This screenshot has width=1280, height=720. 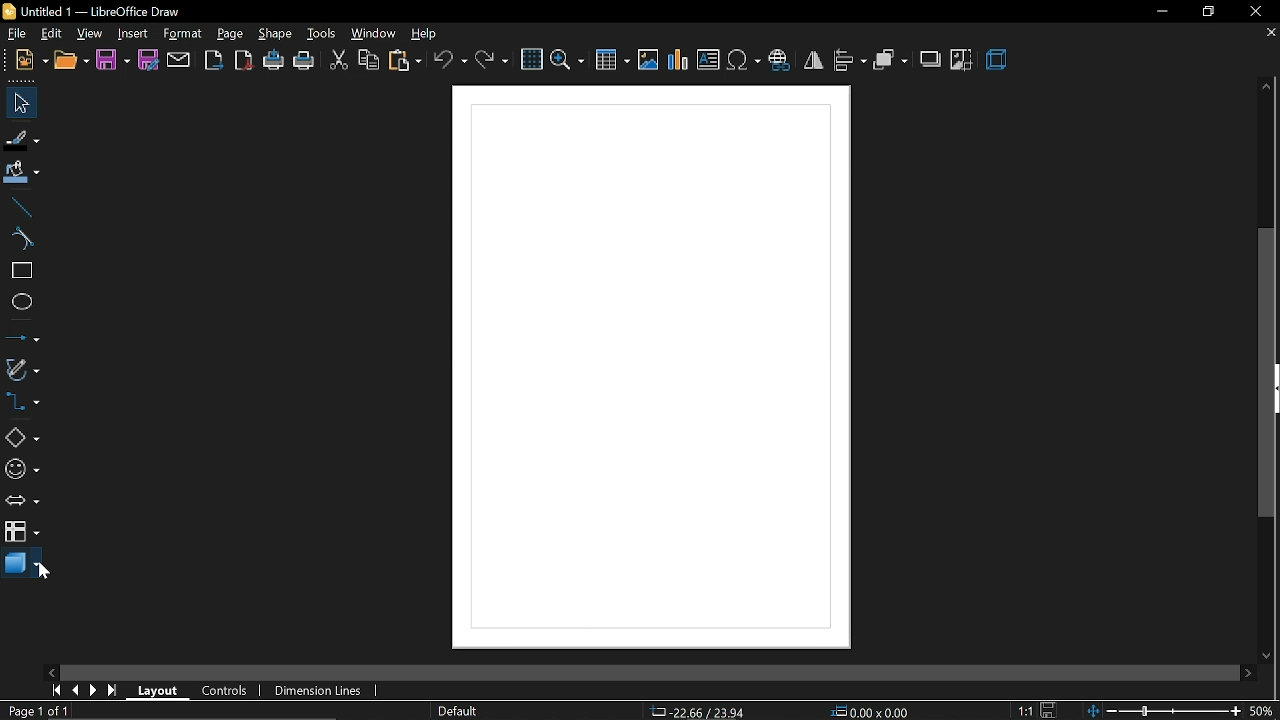 What do you see at coordinates (277, 35) in the screenshot?
I see `shape` at bounding box center [277, 35].